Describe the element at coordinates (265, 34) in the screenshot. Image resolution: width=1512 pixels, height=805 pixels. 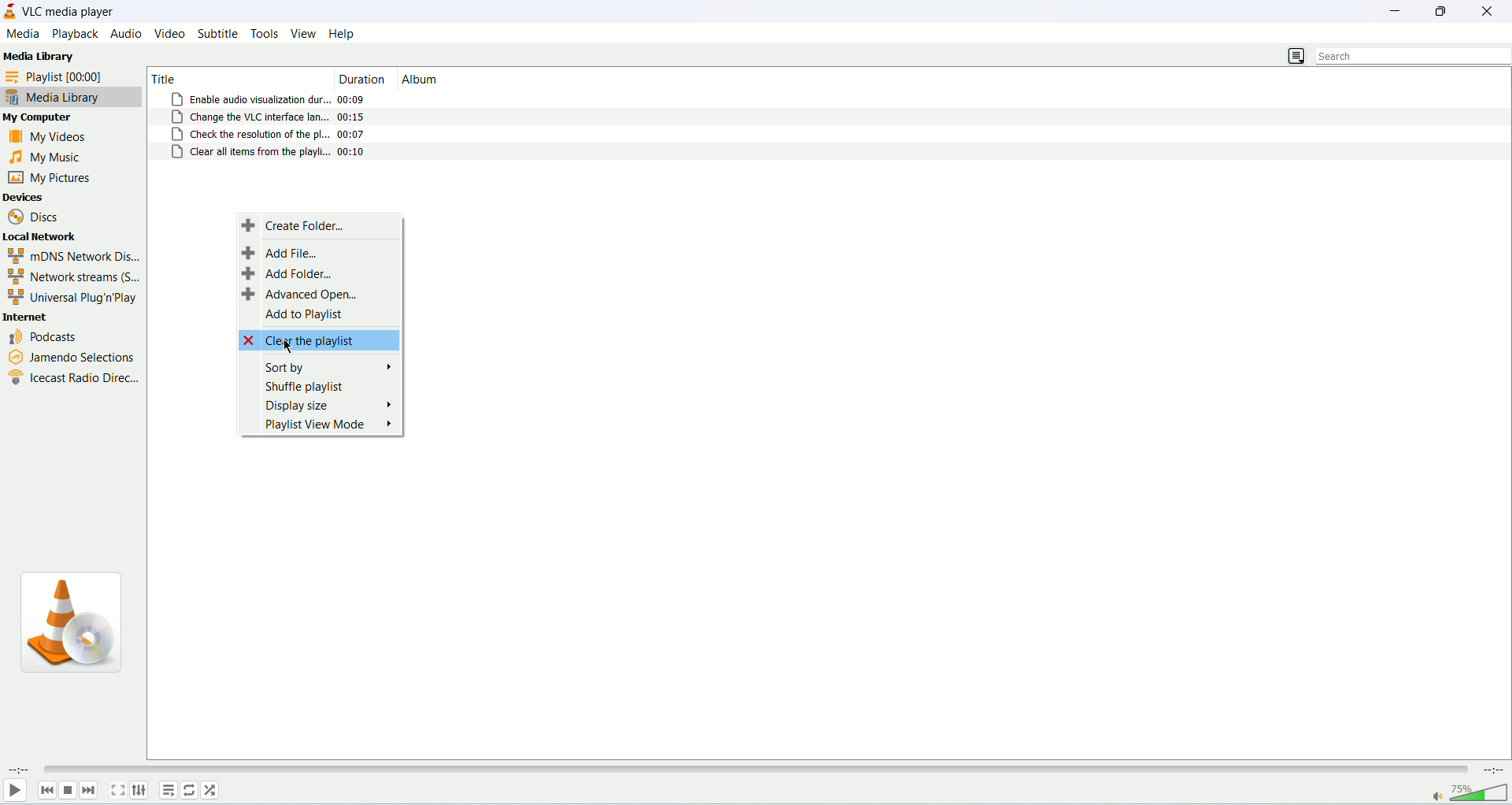
I see `tools` at that location.